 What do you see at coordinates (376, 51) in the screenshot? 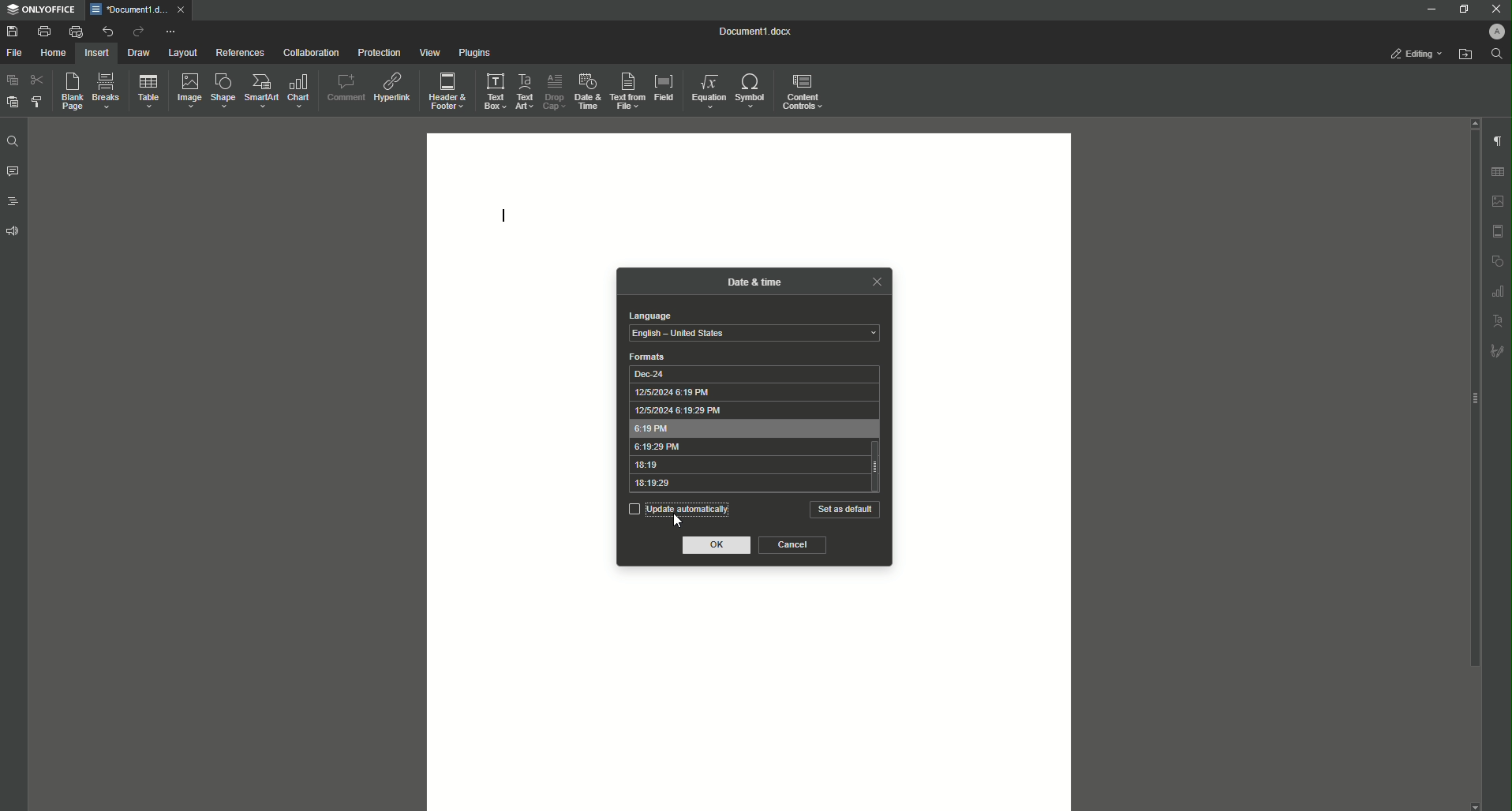
I see `Protection` at bounding box center [376, 51].